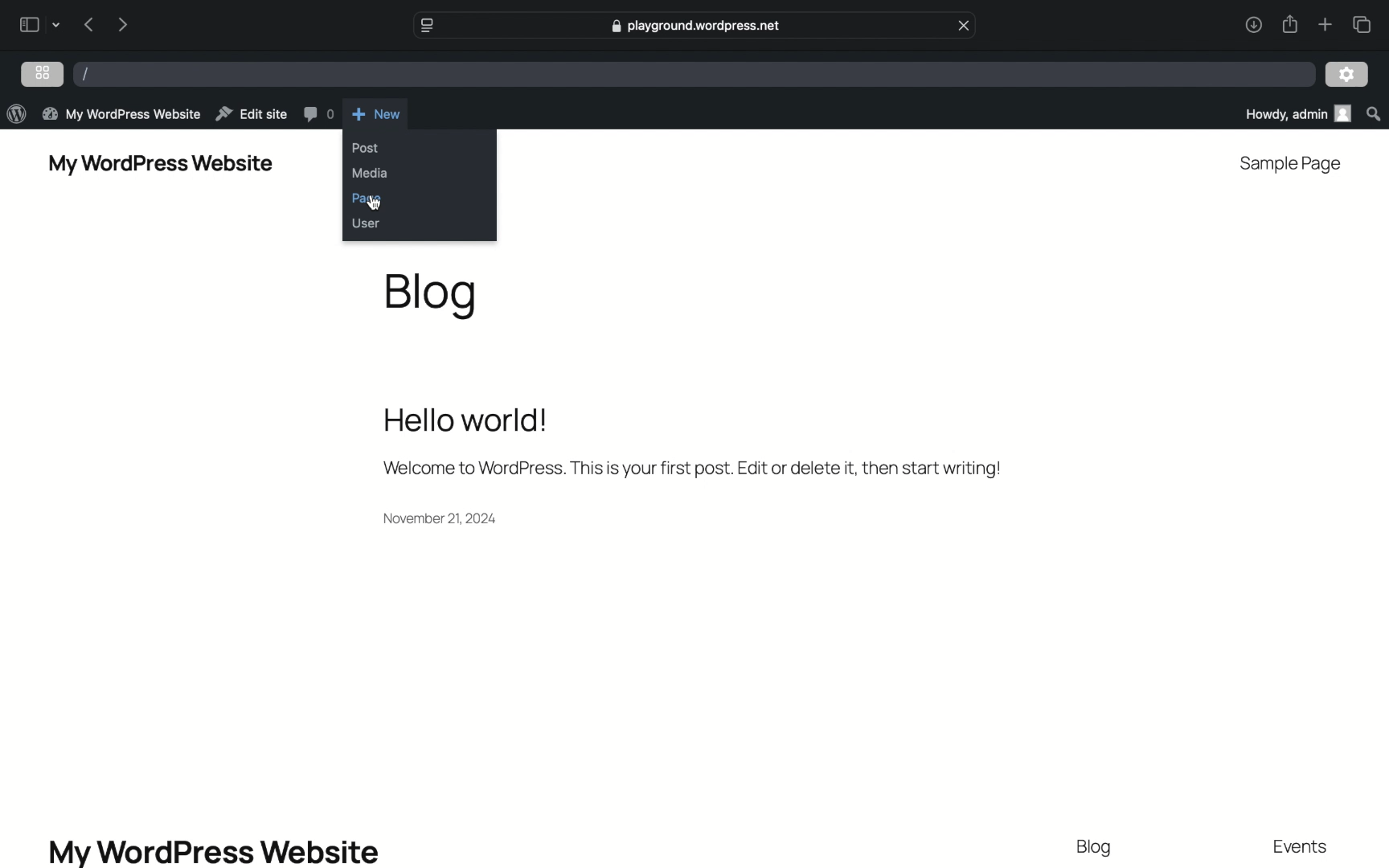 The image size is (1389, 868). Describe the element at coordinates (318, 113) in the screenshot. I see `comments` at that location.